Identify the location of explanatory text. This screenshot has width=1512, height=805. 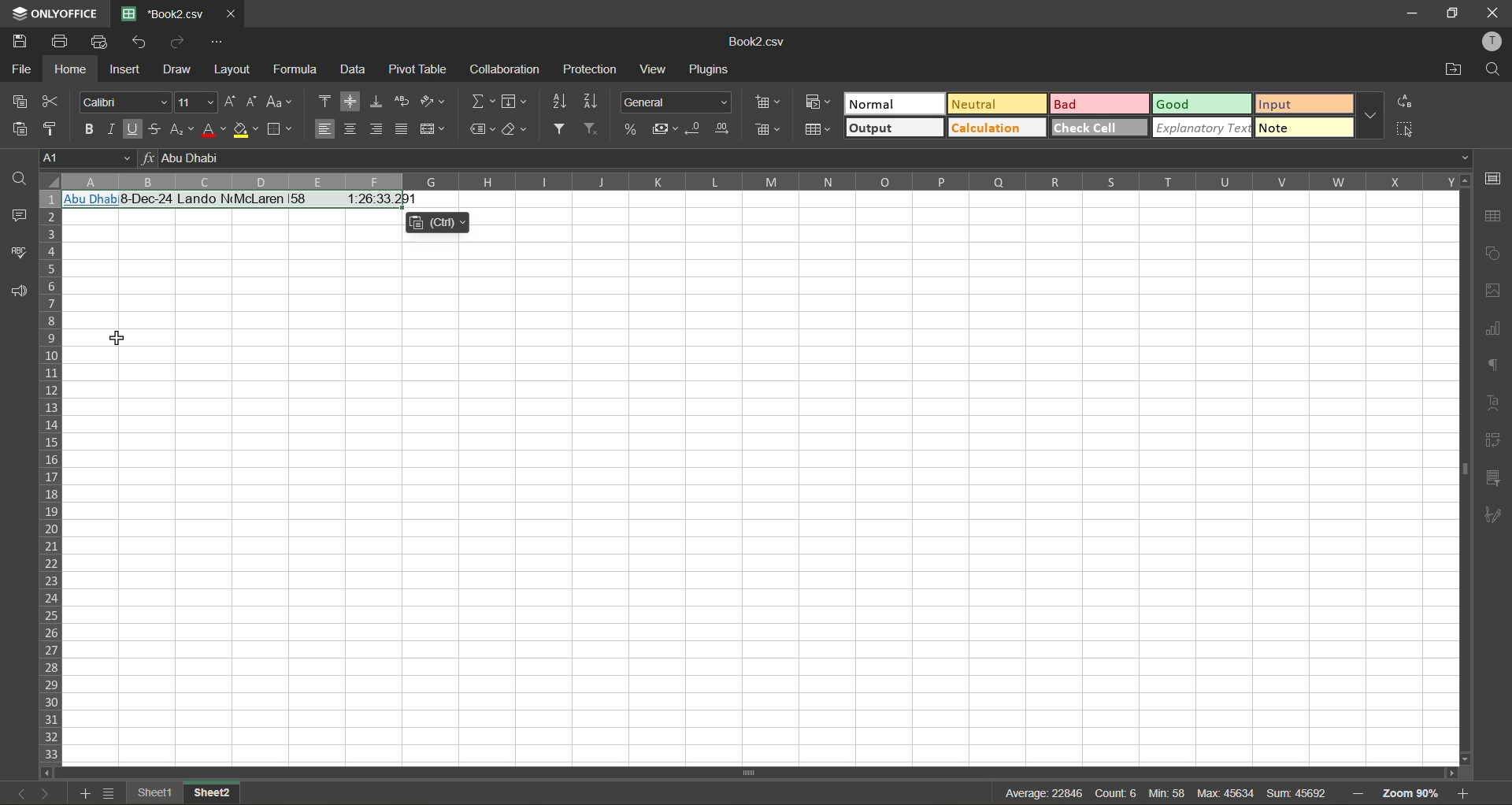
(1204, 128).